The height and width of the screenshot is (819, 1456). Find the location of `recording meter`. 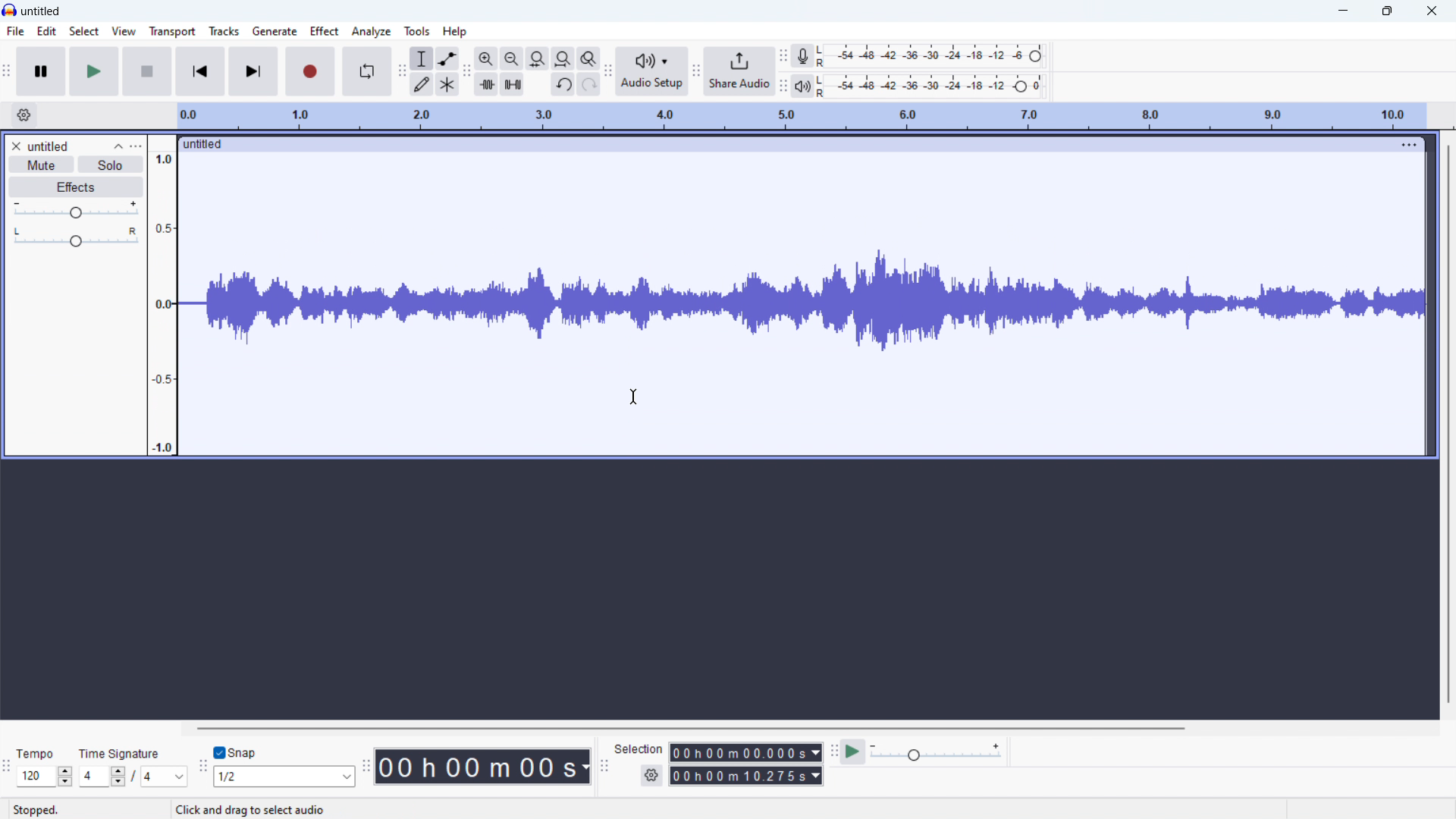

recording meter is located at coordinates (804, 56).